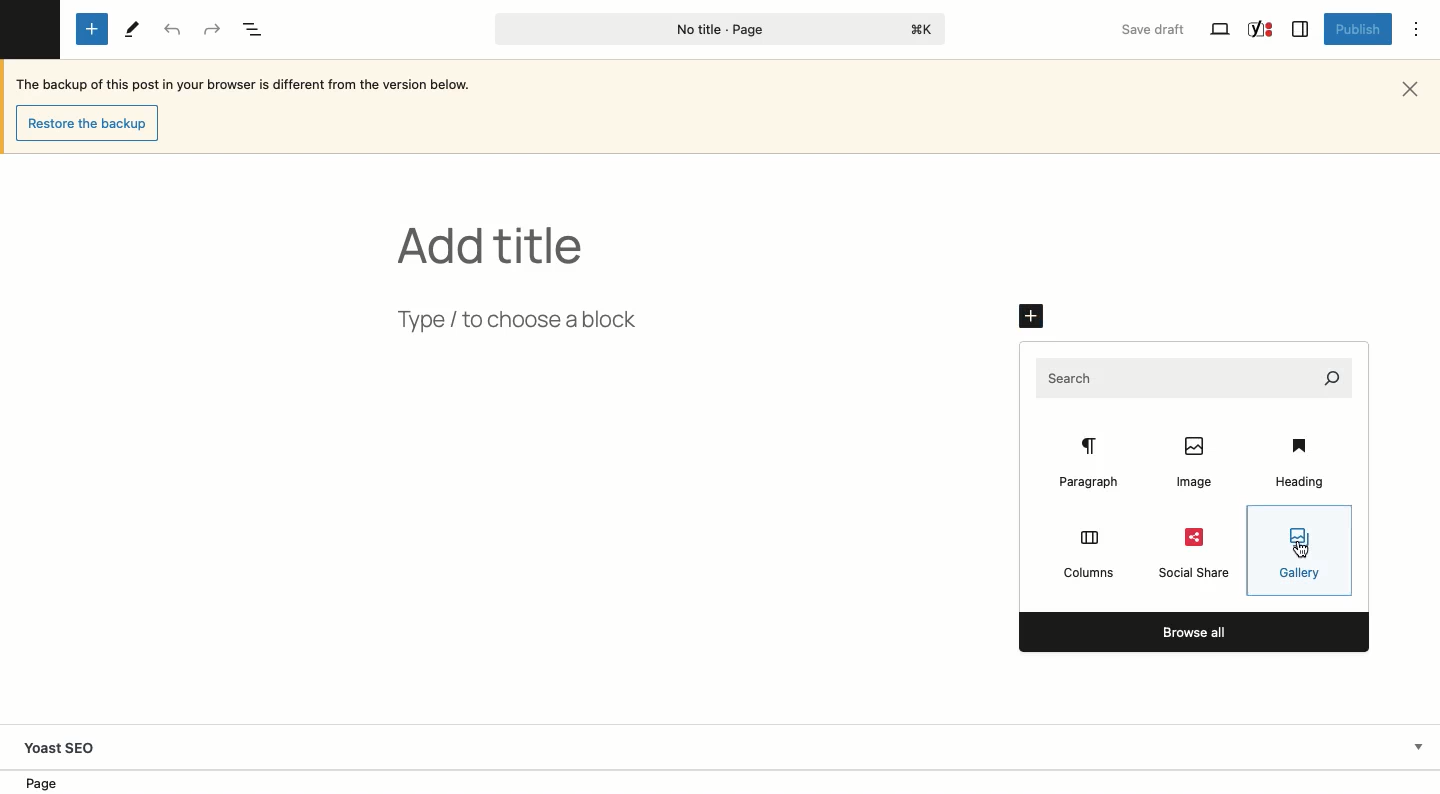 The height and width of the screenshot is (794, 1440). Describe the element at coordinates (1296, 552) in the screenshot. I see `Gallery` at that location.